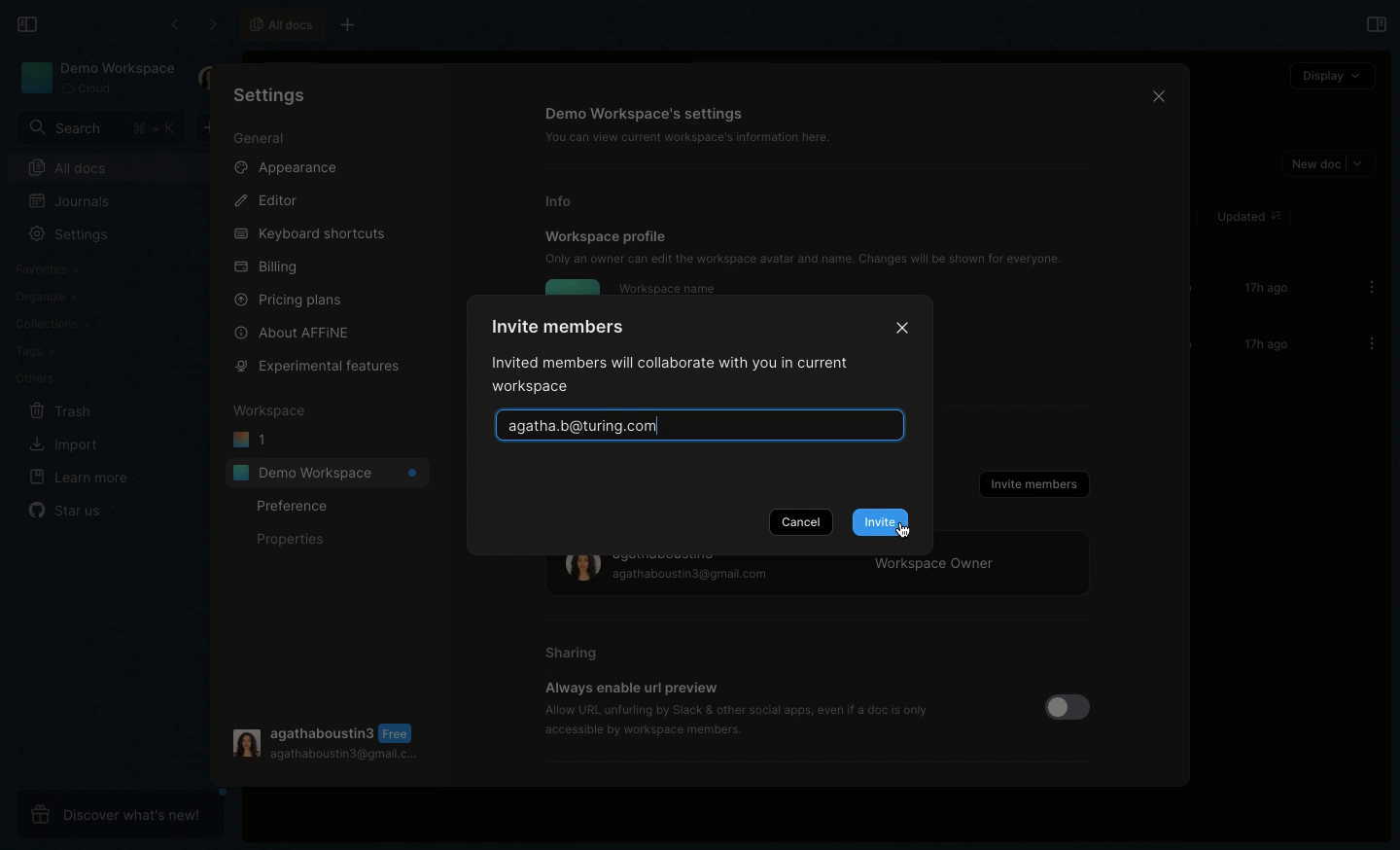  Describe the element at coordinates (60, 443) in the screenshot. I see `Import` at that location.